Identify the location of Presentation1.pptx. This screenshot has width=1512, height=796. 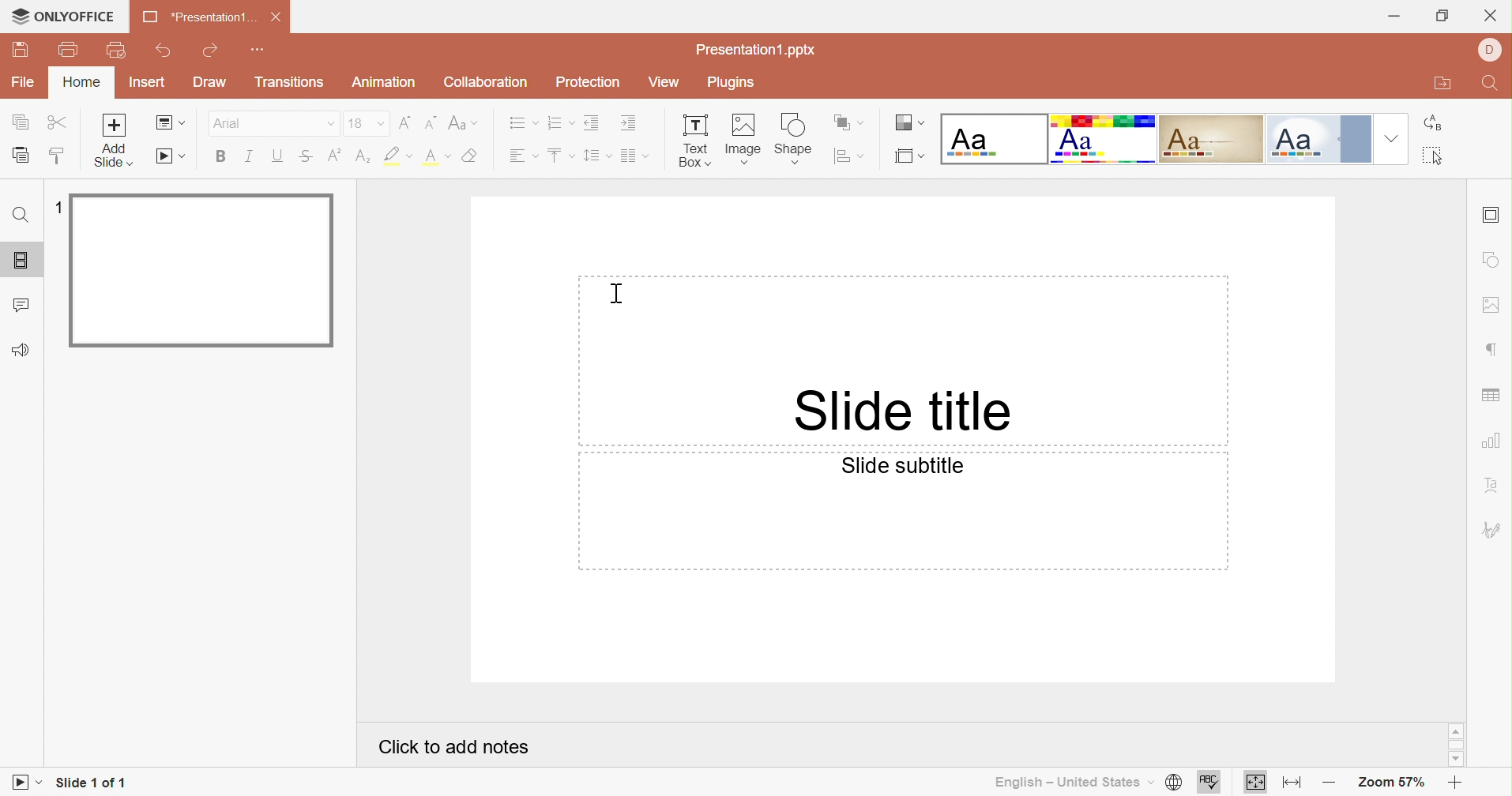
(762, 50).